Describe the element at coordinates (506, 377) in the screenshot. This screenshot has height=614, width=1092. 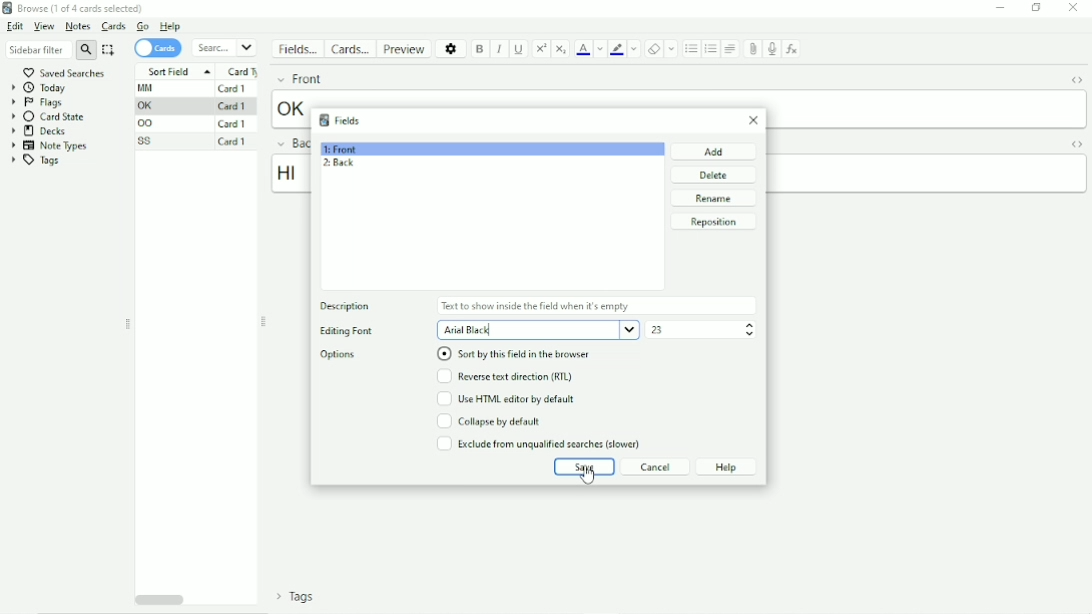
I see `Reverse text direction (RTL)` at that location.